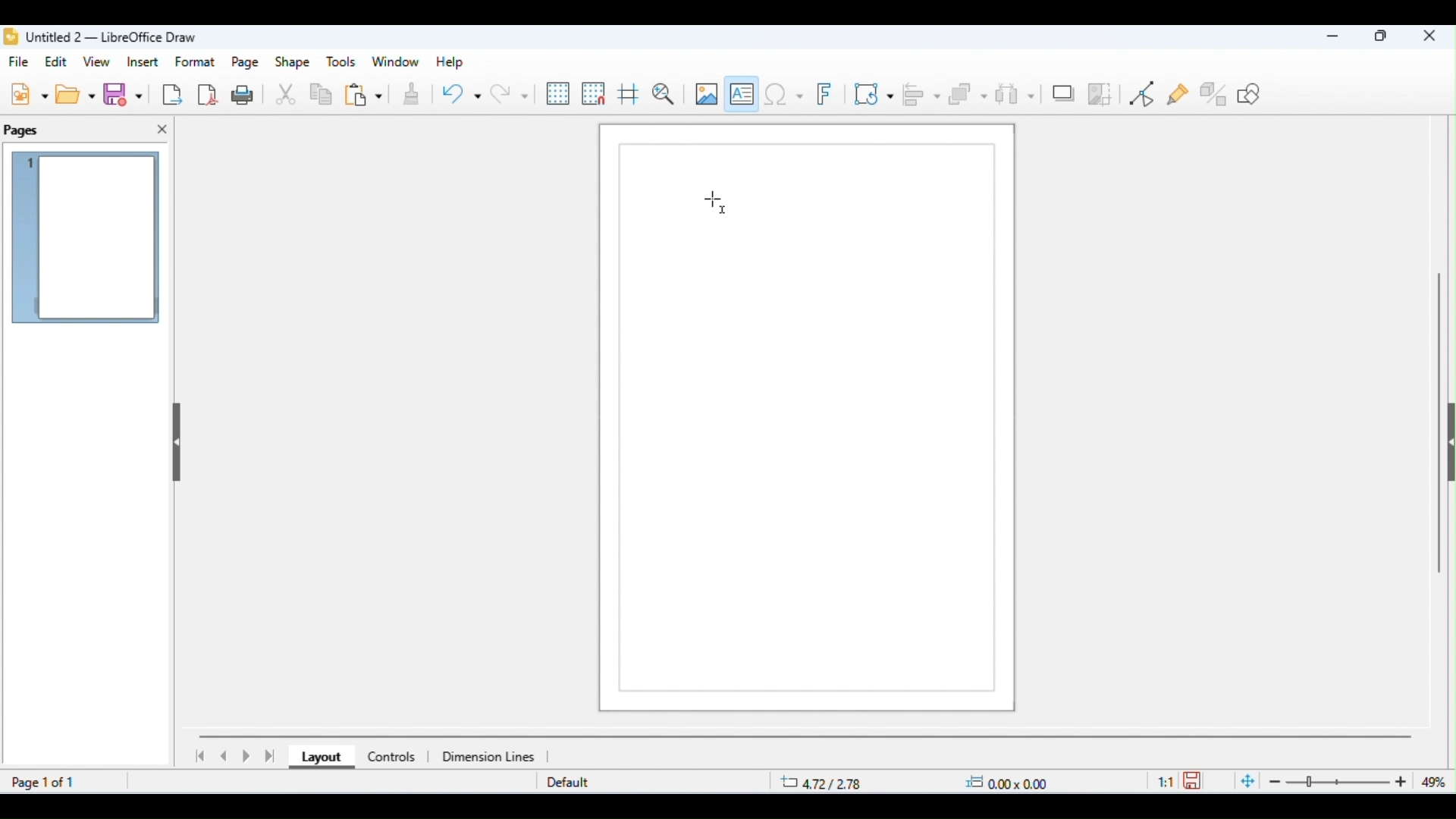  Describe the element at coordinates (58, 61) in the screenshot. I see `edit` at that location.